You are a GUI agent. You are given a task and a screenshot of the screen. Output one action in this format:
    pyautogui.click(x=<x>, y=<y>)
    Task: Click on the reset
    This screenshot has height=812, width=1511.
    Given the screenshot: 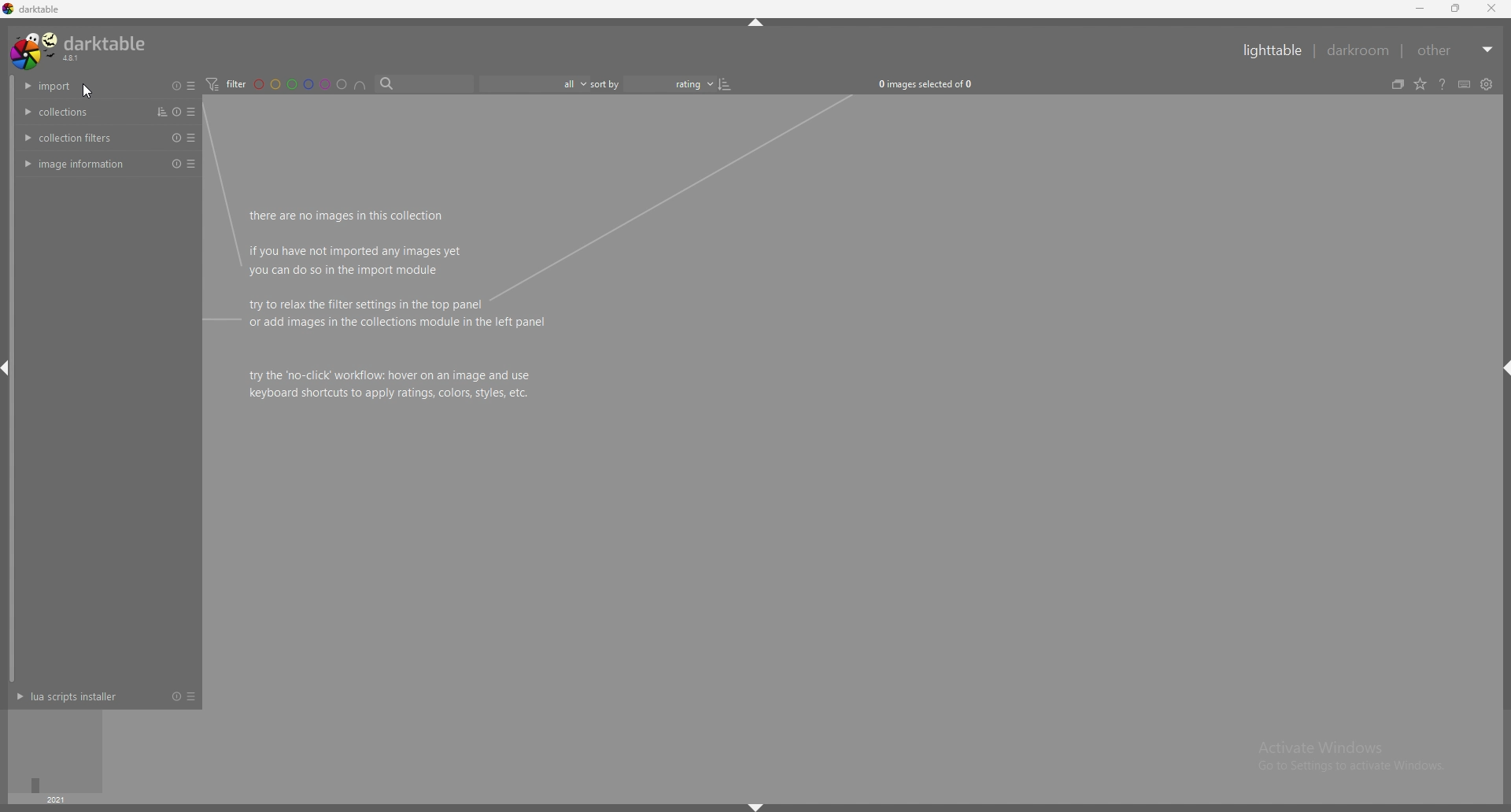 What is the action you would take?
    pyautogui.click(x=175, y=138)
    